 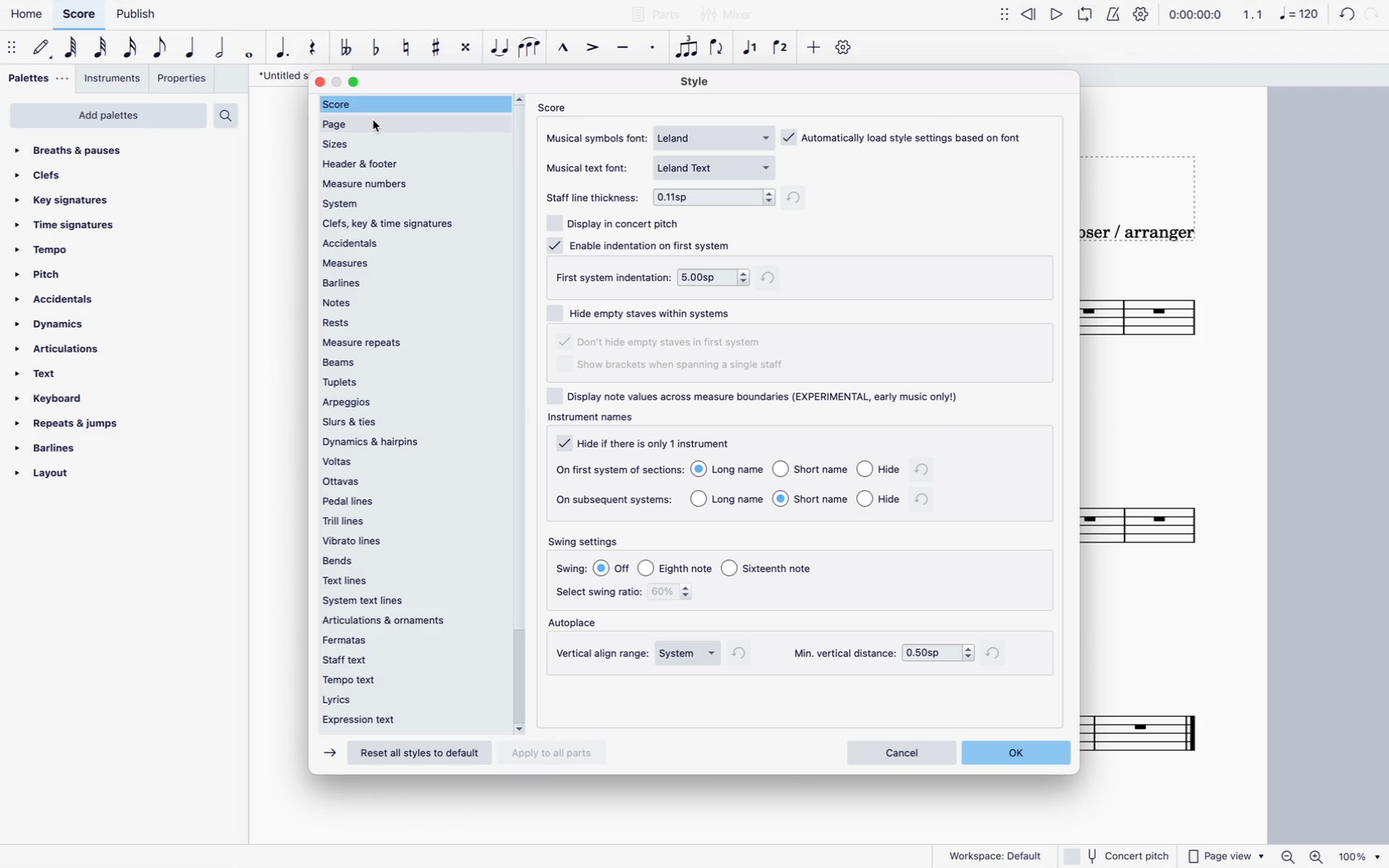 What do you see at coordinates (843, 651) in the screenshot?
I see `min. vertical distance` at bounding box center [843, 651].